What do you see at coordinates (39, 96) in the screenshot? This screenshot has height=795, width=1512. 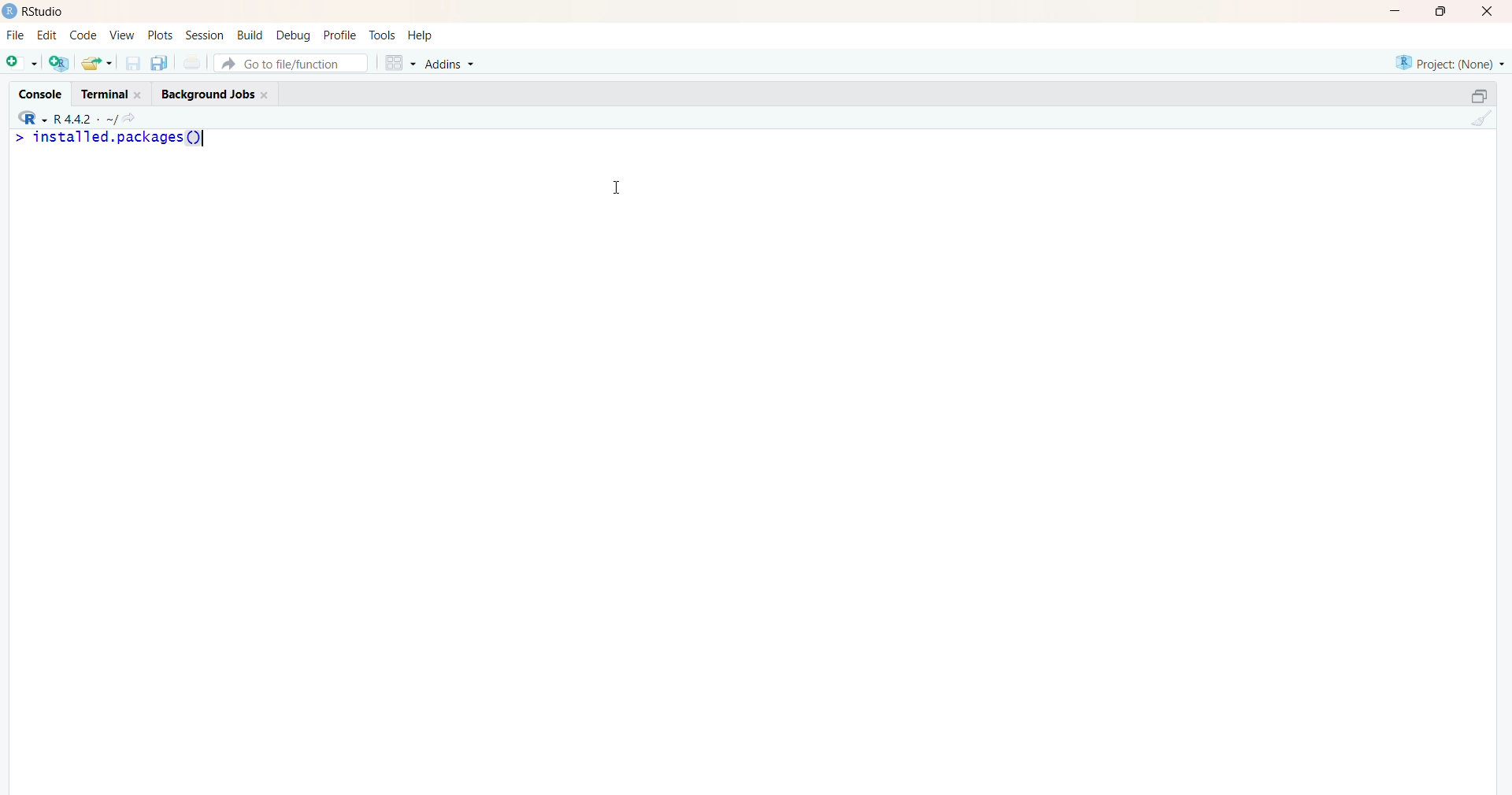 I see `console` at bounding box center [39, 96].